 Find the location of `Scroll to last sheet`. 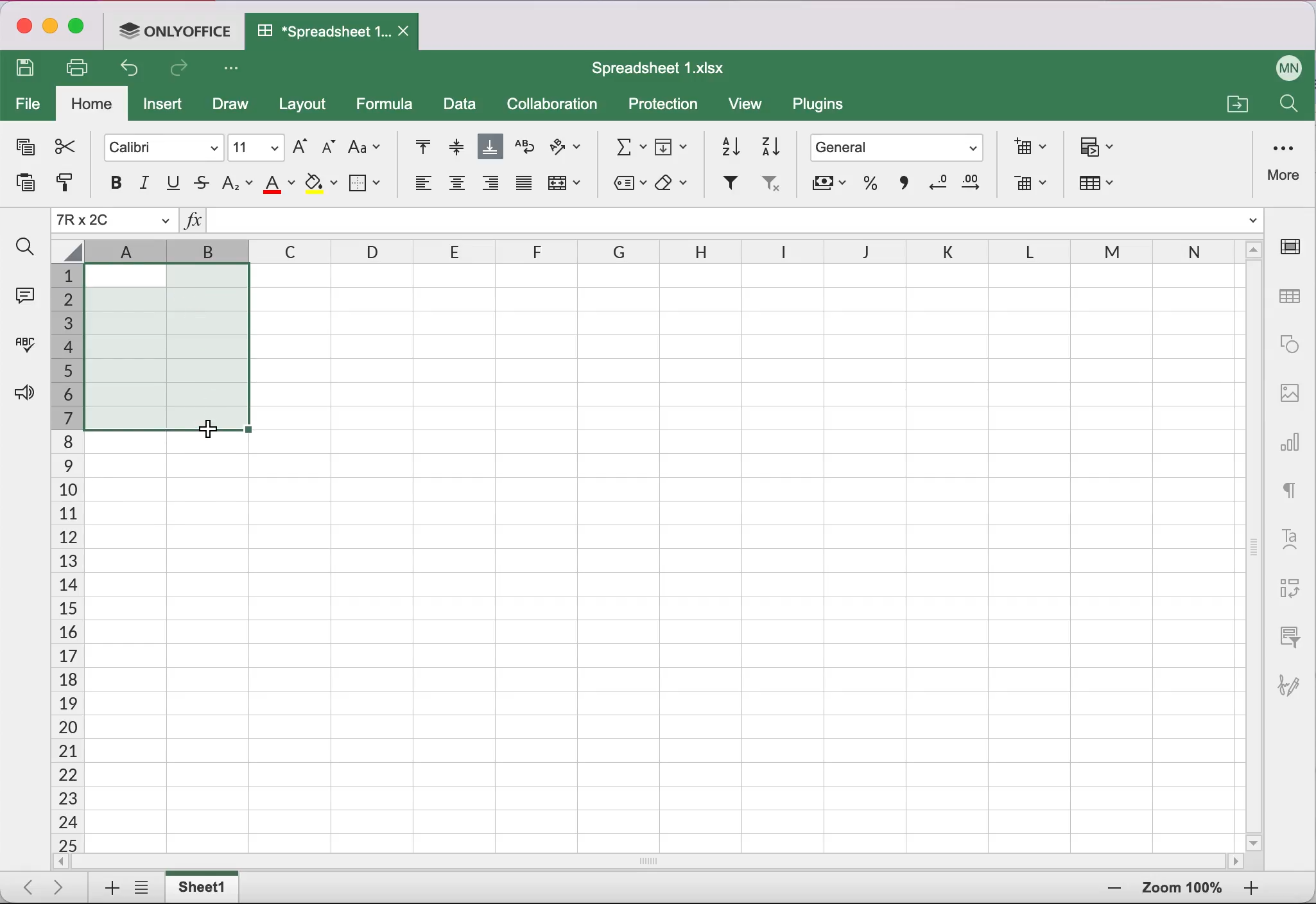

Scroll to last sheet is located at coordinates (64, 886).